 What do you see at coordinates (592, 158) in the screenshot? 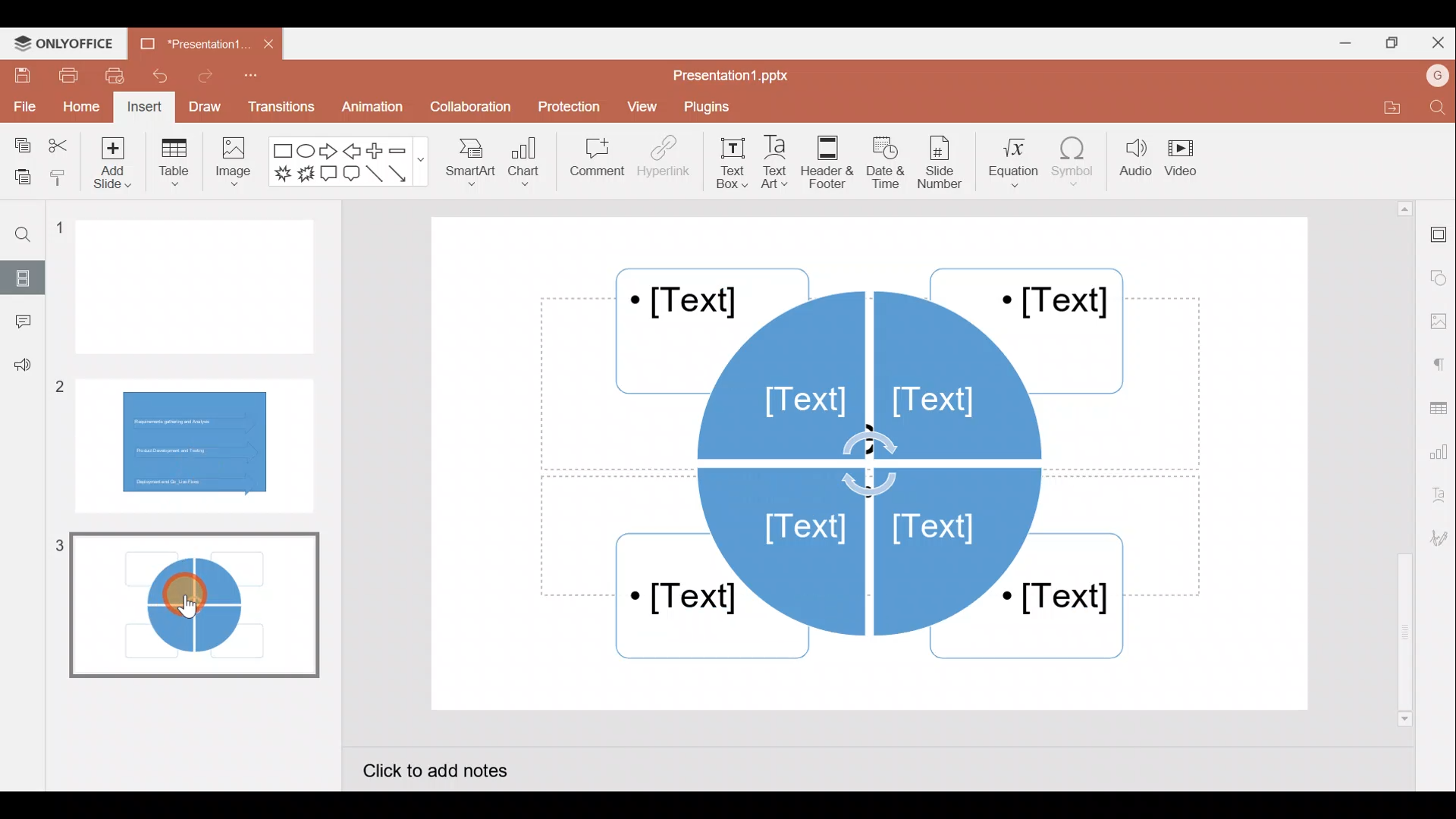
I see `Comment` at bounding box center [592, 158].